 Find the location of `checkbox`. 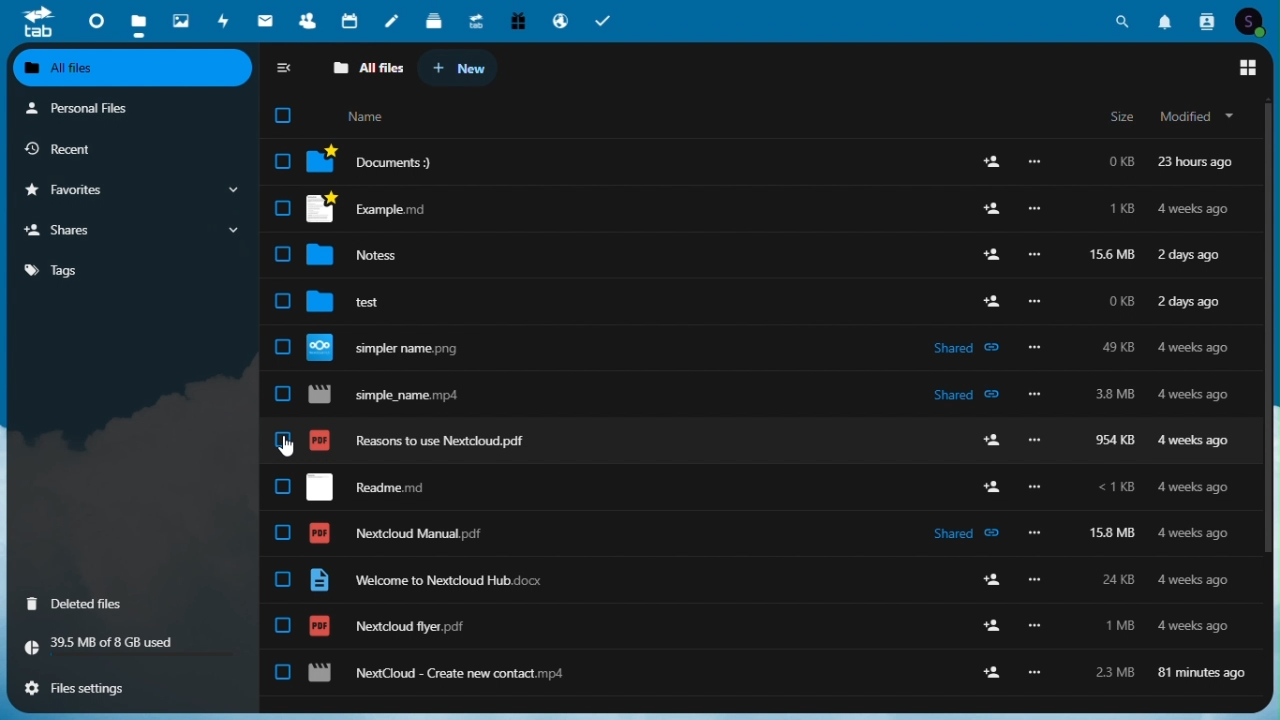

checkbox is located at coordinates (284, 535).